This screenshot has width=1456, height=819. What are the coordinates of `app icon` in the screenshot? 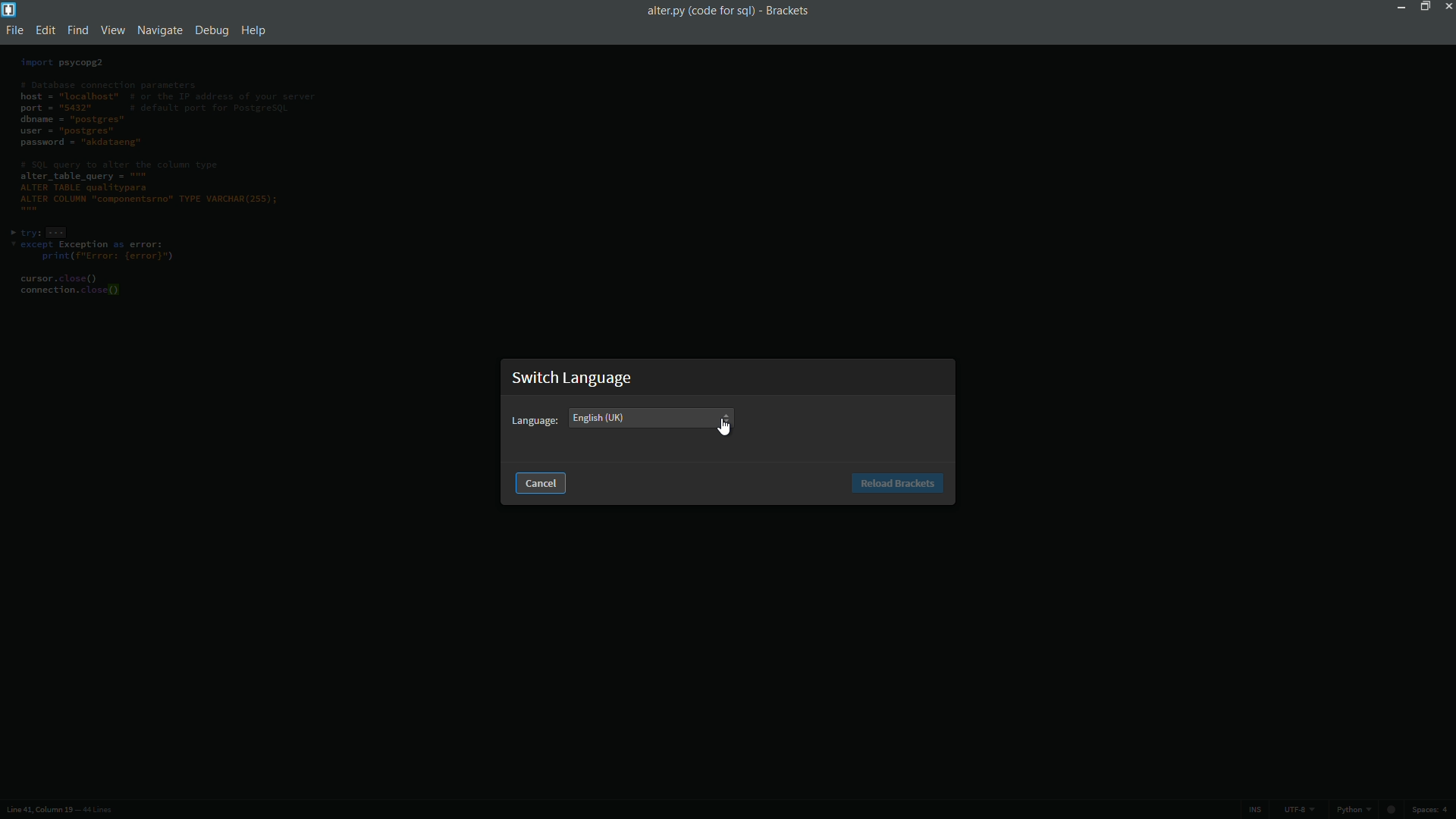 It's located at (9, 9).